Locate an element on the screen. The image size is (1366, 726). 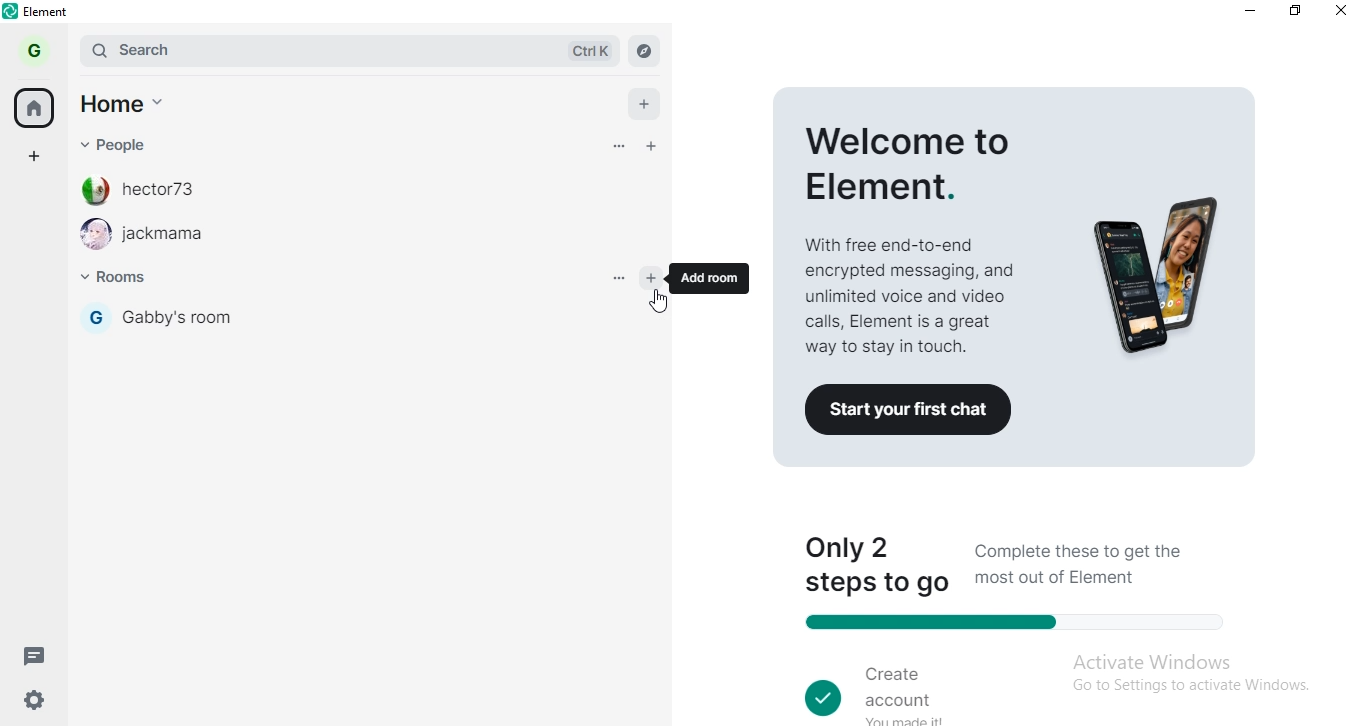
element is located at coordinates (49, 11).